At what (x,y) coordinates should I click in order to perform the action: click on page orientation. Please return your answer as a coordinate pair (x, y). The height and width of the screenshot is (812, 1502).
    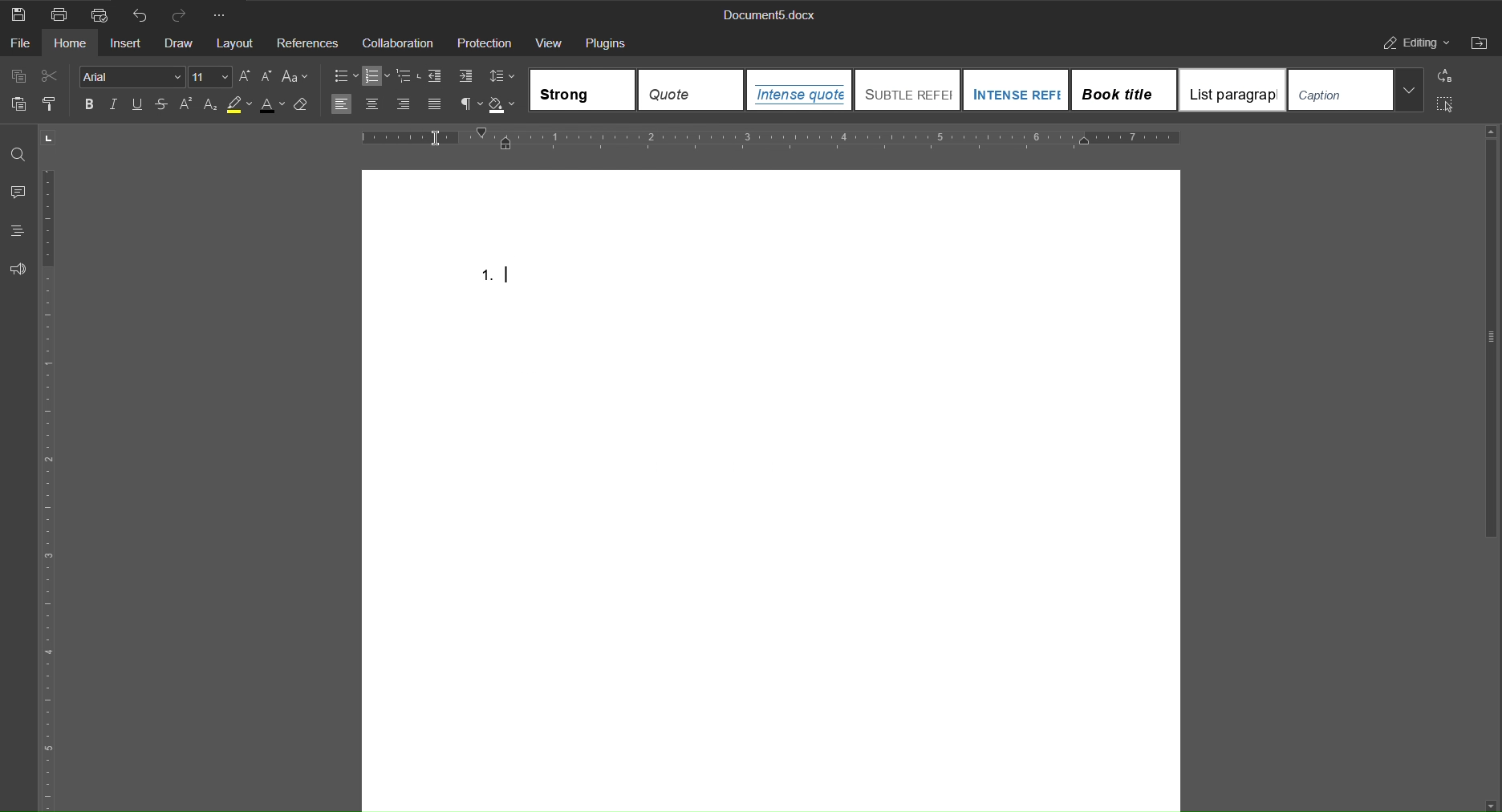
    Looking at the image, I should click on (47, 137).